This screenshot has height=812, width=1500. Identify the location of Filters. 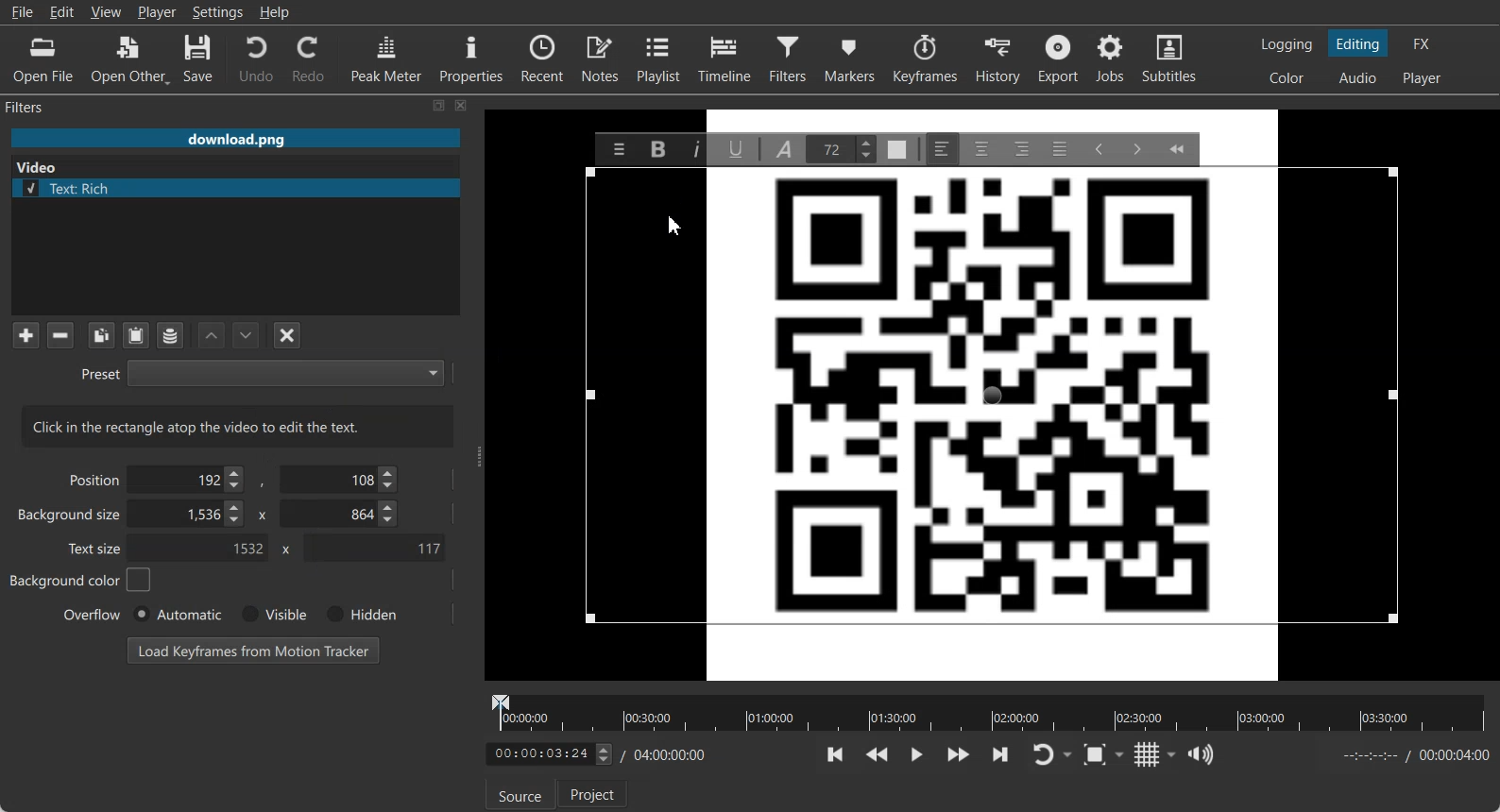
(43, 106).